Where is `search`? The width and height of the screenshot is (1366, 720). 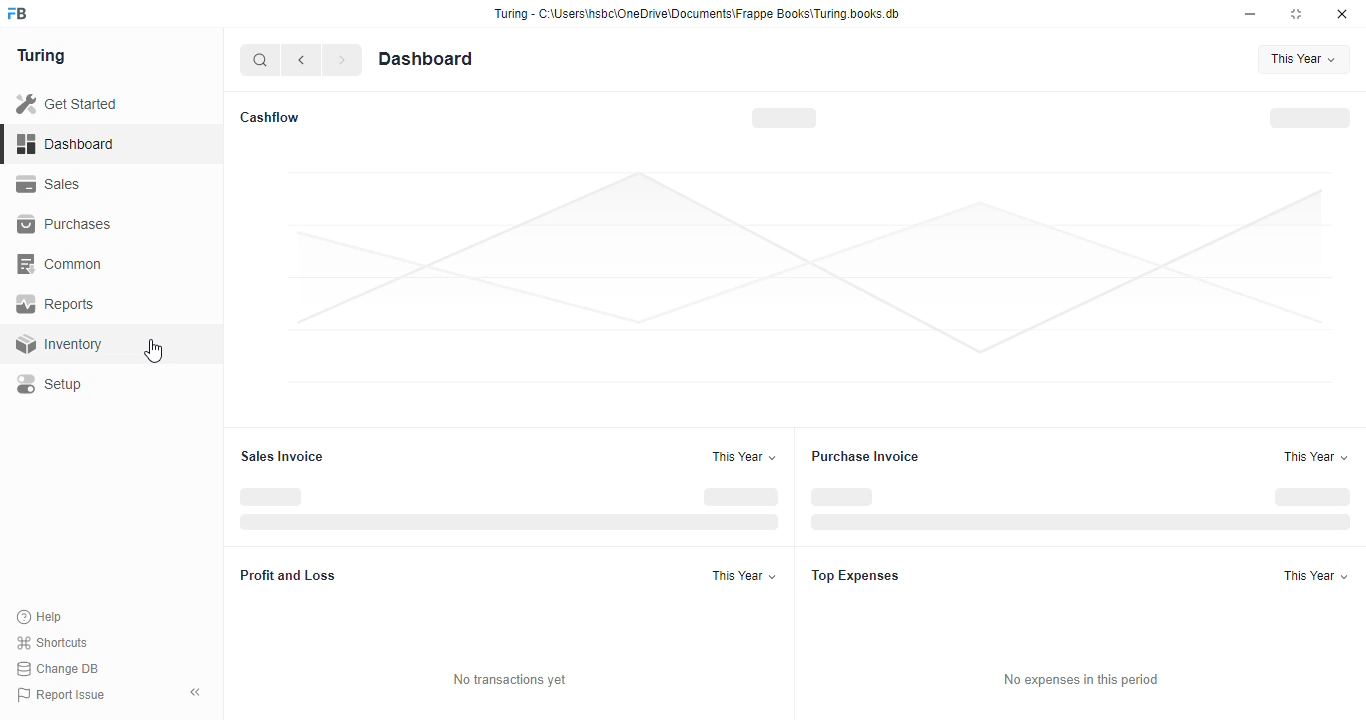 search is located at coordinates (261, 60).